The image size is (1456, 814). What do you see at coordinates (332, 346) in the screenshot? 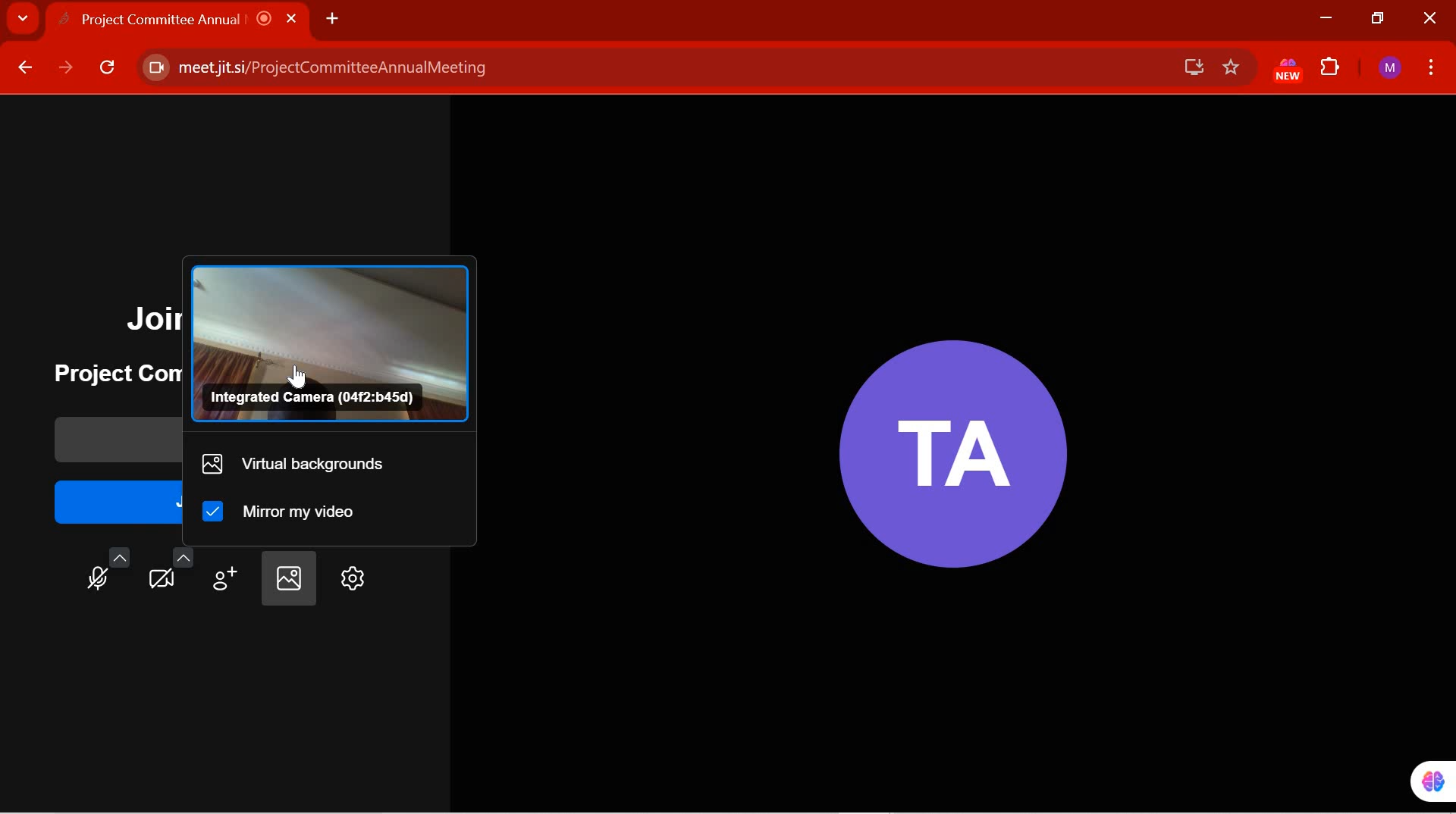
I see `Integrated Camera Preview(04f2:b45d)` at bounding box center [332, 346].